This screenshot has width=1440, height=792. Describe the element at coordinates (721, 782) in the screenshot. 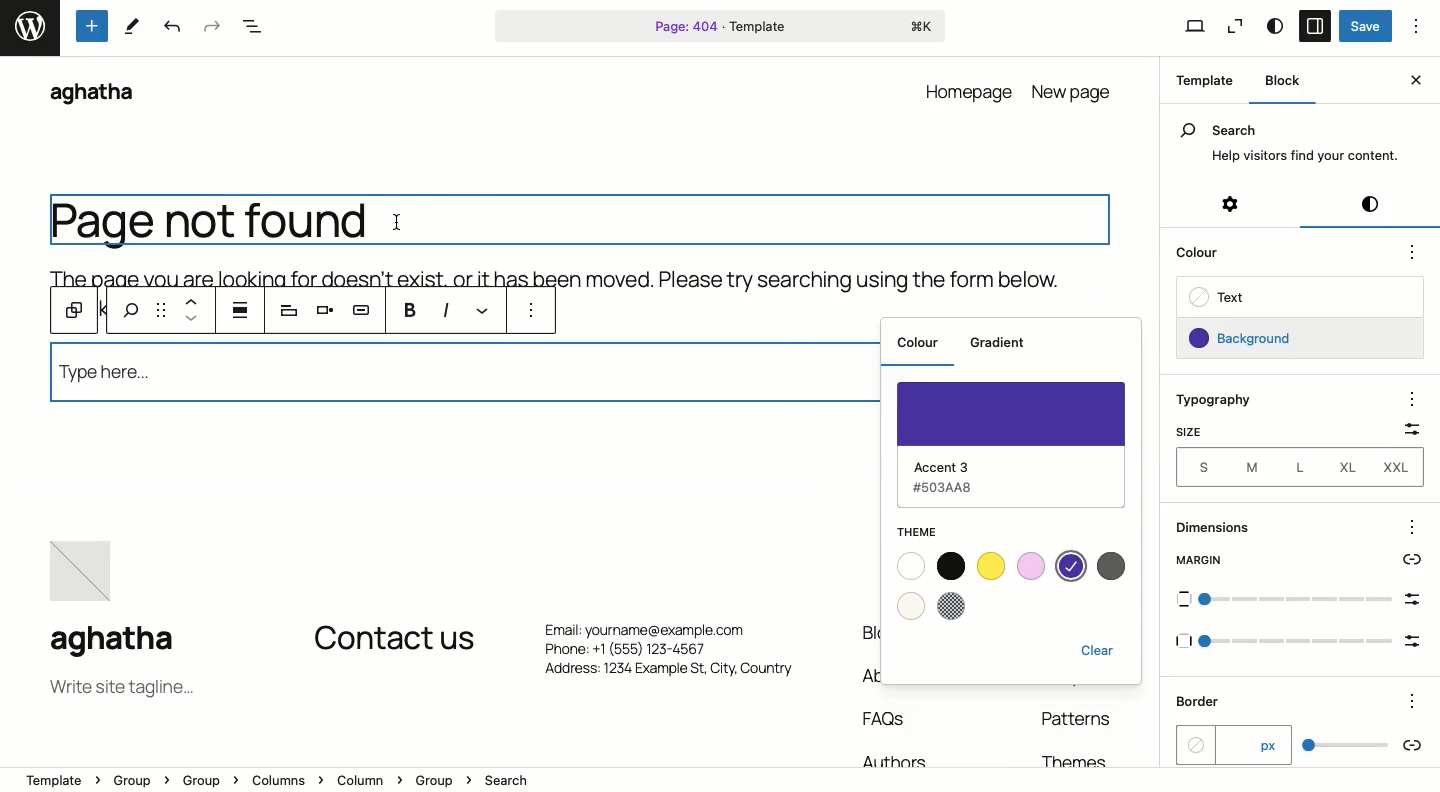

I see `Location` at that location.